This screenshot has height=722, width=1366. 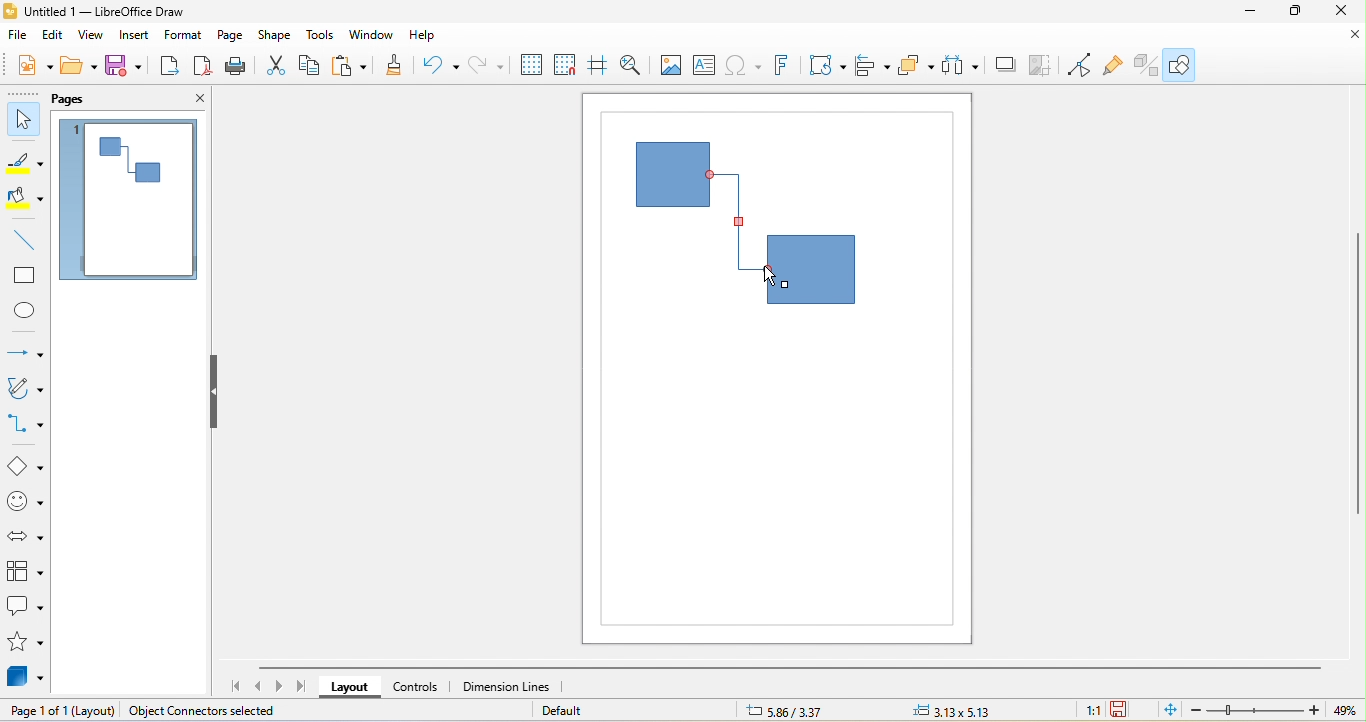 I want to click on callout shape, so click(x=26, y=605).